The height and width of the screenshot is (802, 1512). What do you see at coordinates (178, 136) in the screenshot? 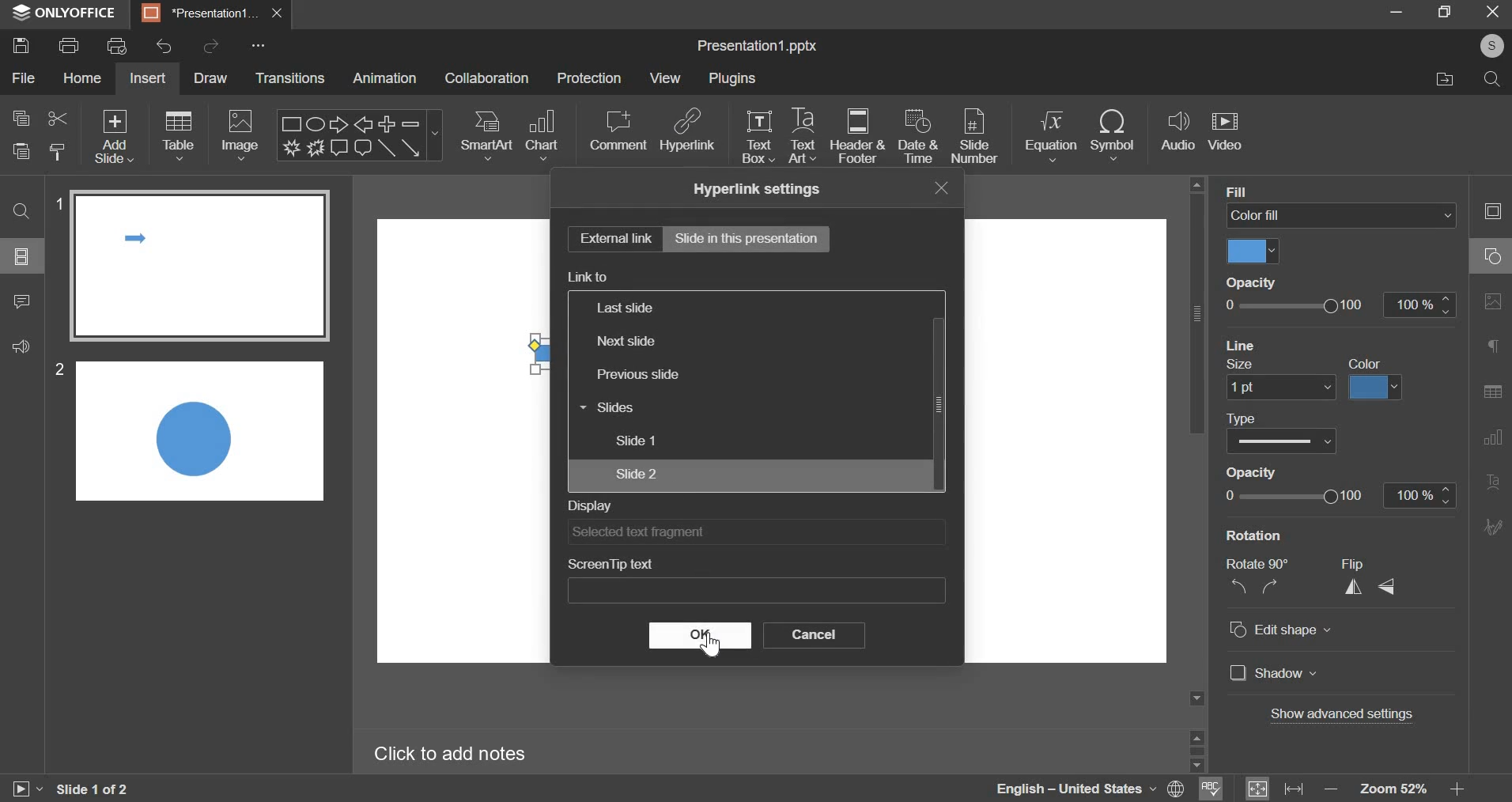
I see `table` at bounding box center [178, 136].